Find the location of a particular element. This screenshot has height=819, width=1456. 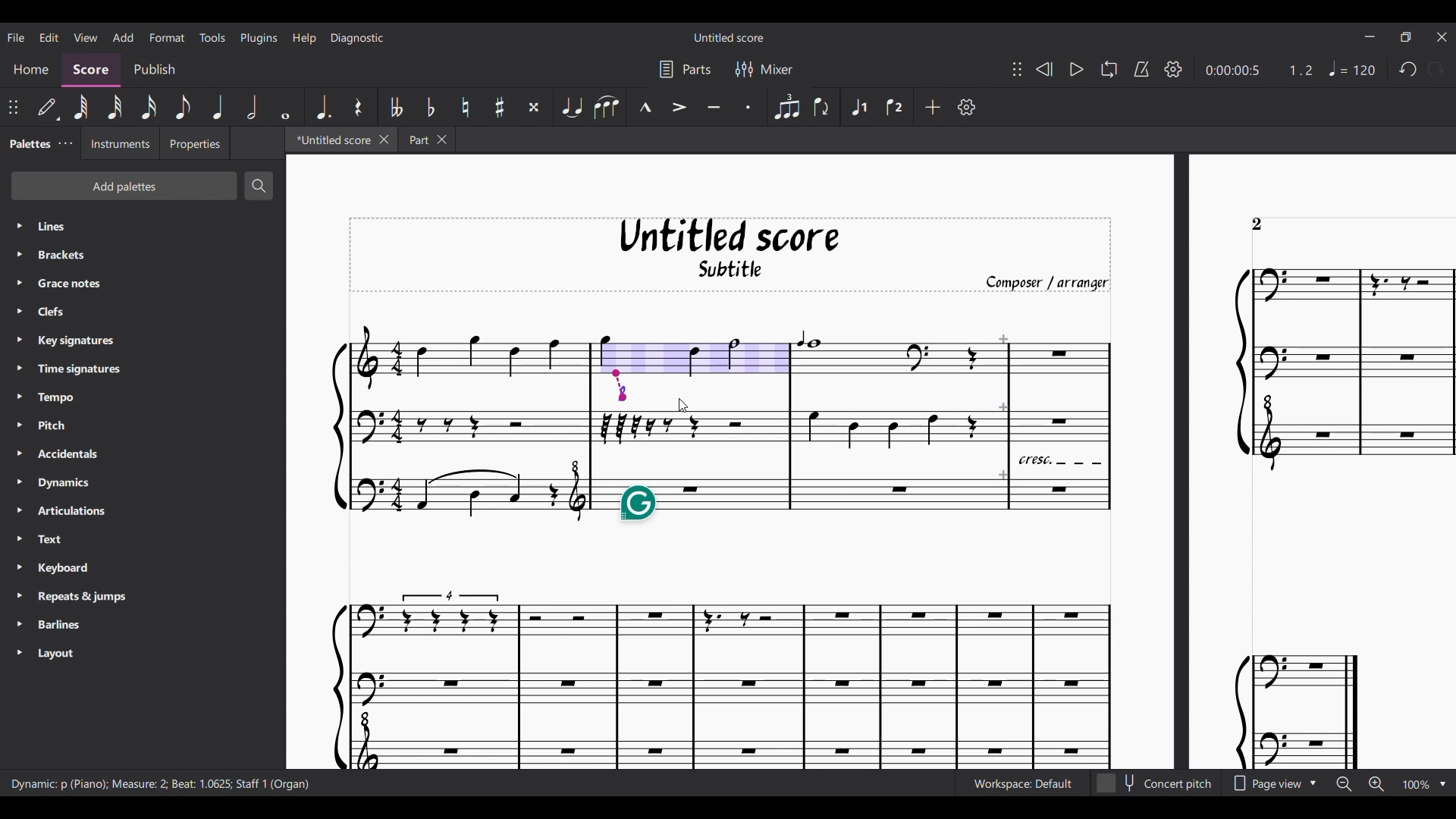

Edit menu is located at coordinates (49, 36).